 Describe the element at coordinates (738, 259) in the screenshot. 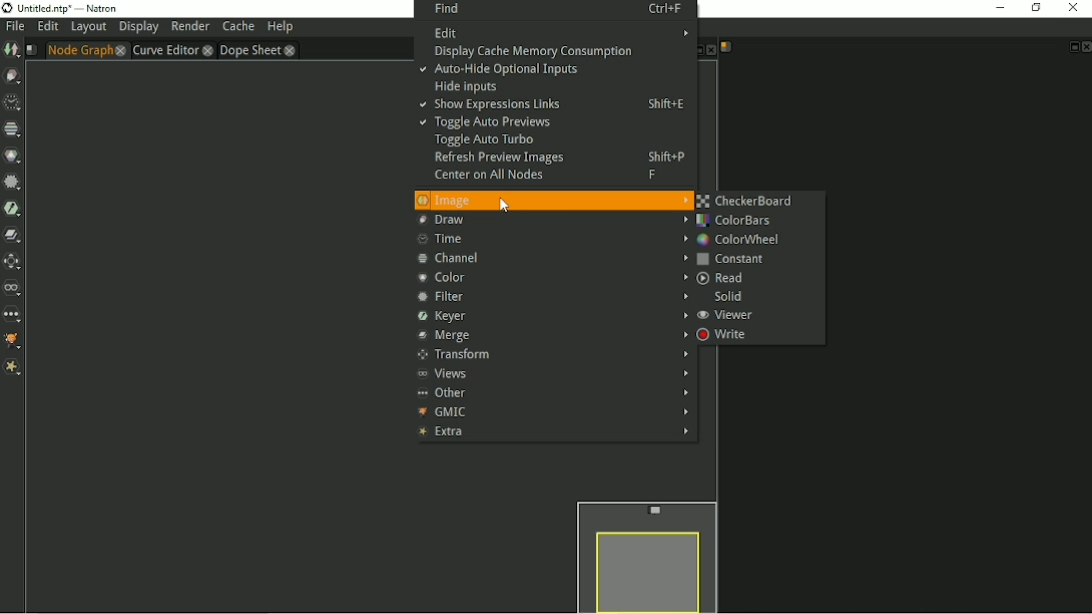

I see `Constant` at that location.